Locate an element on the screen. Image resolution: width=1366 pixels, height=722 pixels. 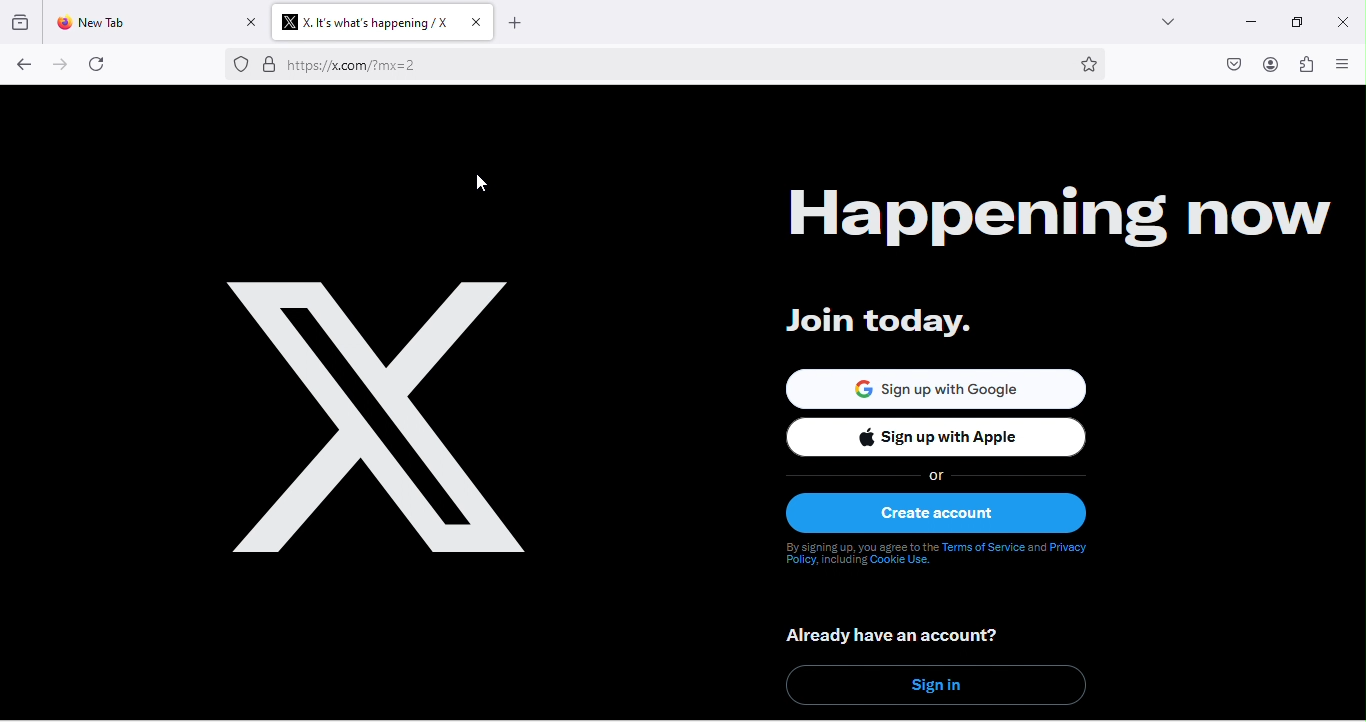
pocket is located at coordinates (1226, 62).